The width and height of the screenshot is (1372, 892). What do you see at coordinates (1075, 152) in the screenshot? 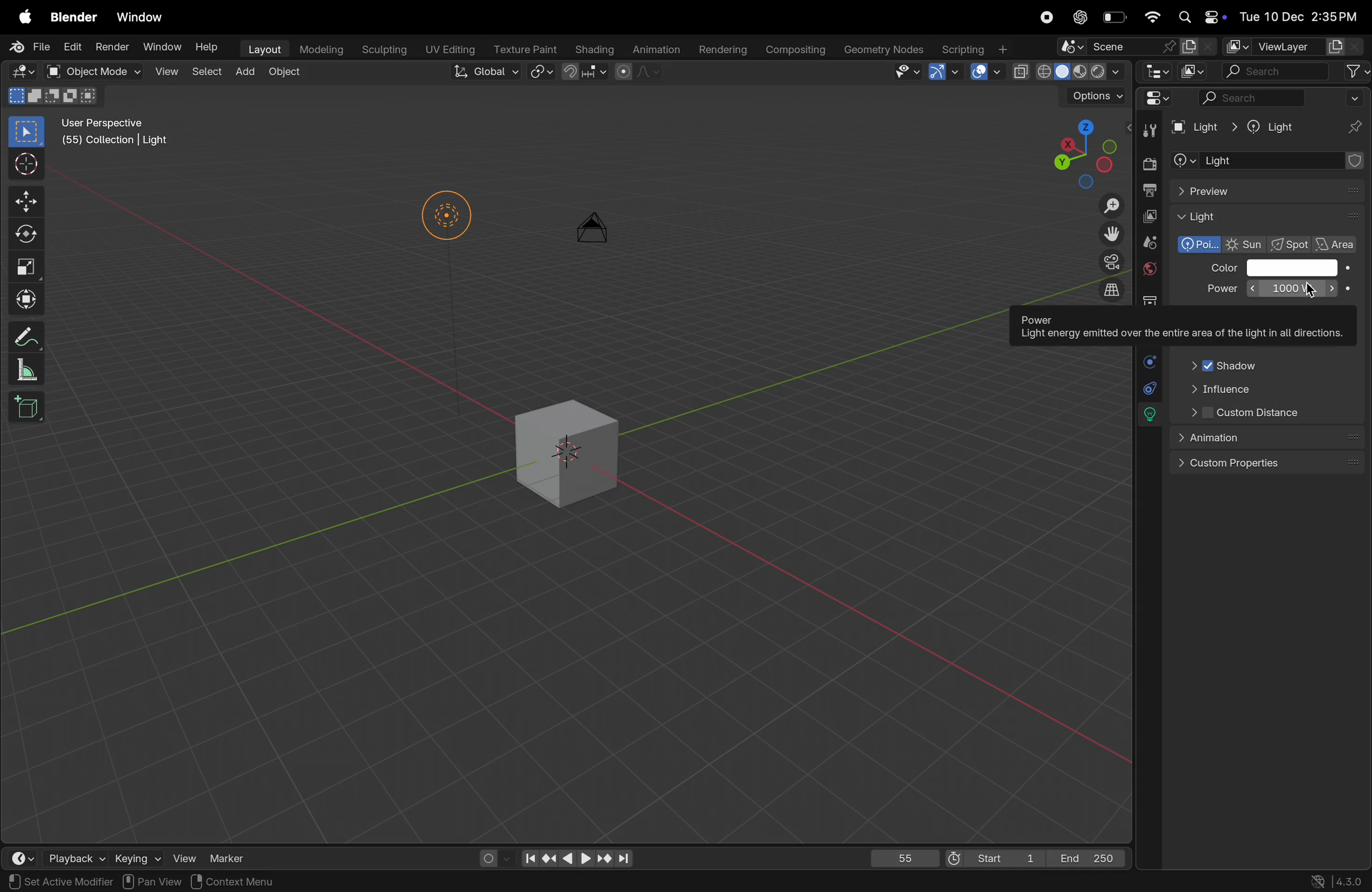
I see `viewpoint` at bounding box center [1075, 152].